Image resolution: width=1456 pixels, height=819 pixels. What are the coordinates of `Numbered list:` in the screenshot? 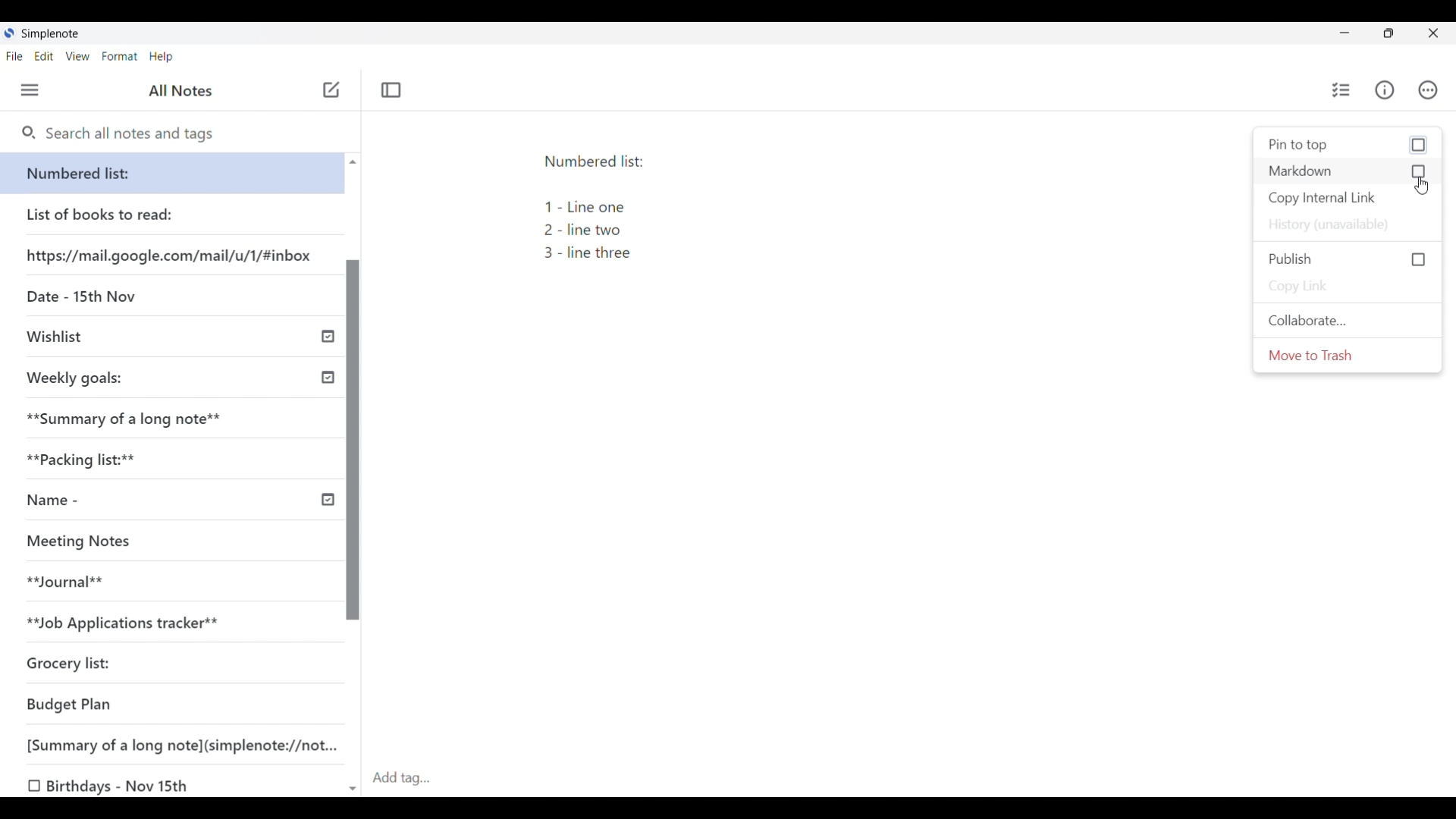 It's located at (601, 166).